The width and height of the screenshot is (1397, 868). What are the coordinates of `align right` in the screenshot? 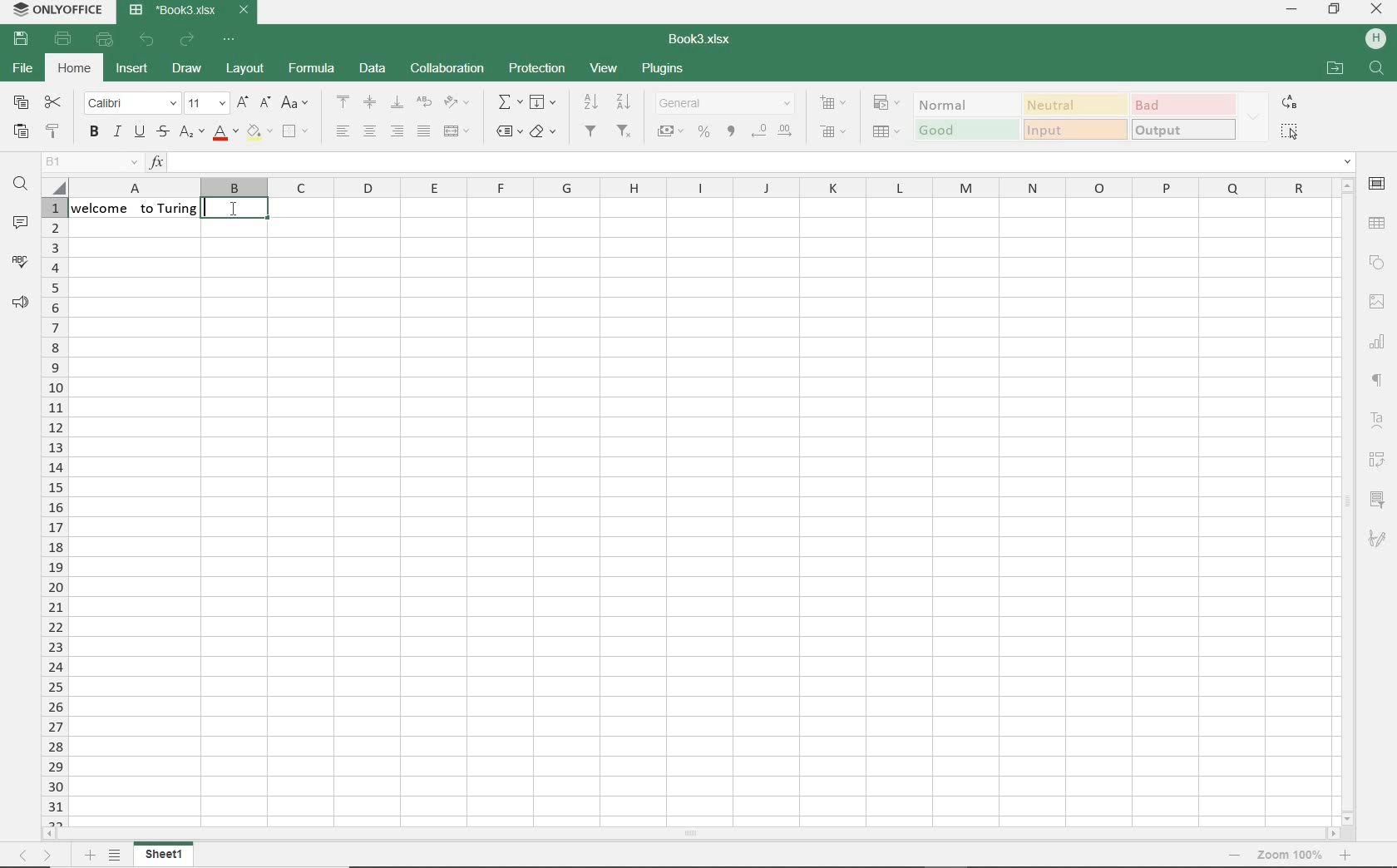 It's located at (399, 132).